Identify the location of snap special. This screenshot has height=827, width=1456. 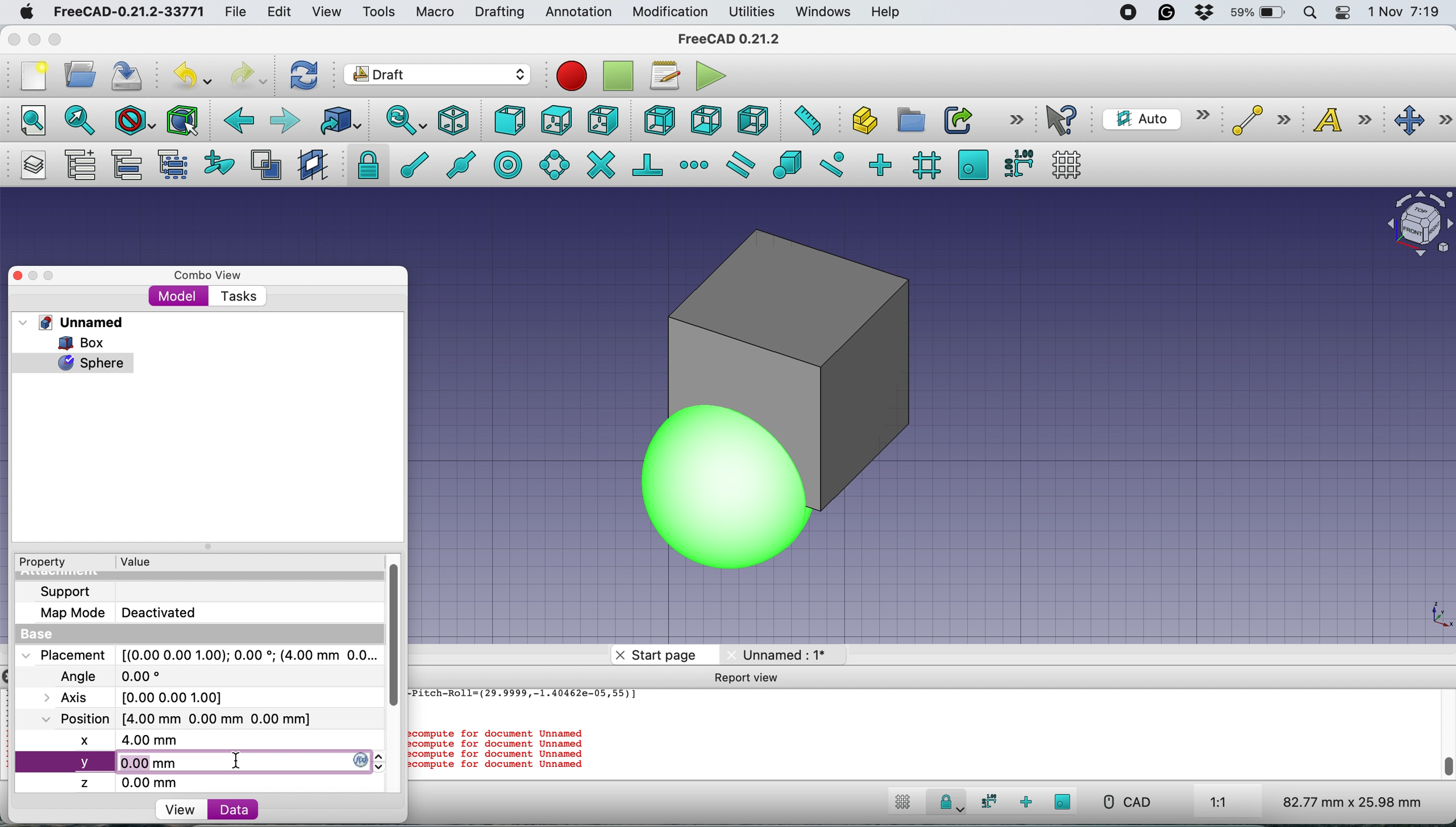
(787, 164).